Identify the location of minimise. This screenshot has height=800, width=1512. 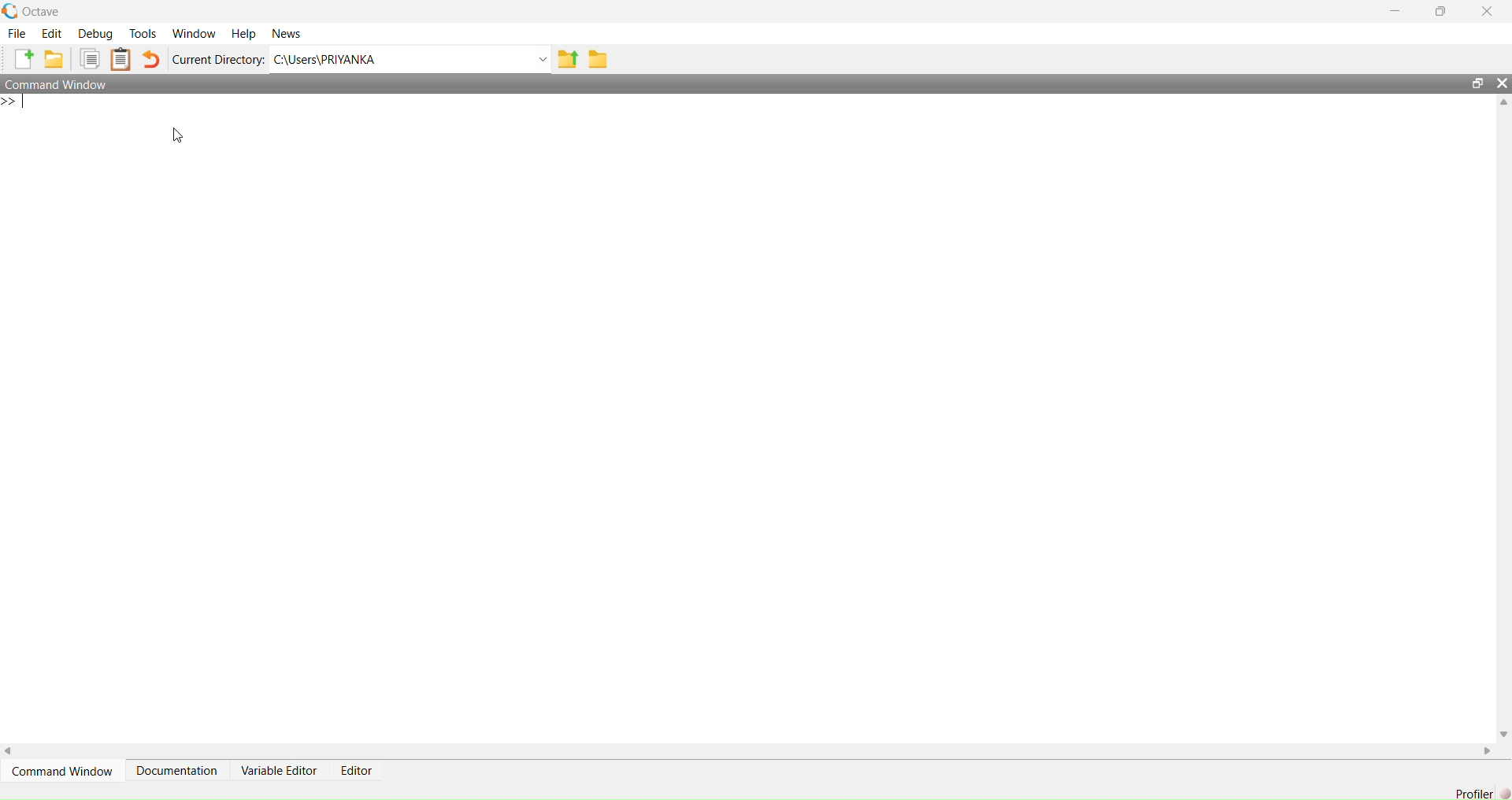
(1392, 9).